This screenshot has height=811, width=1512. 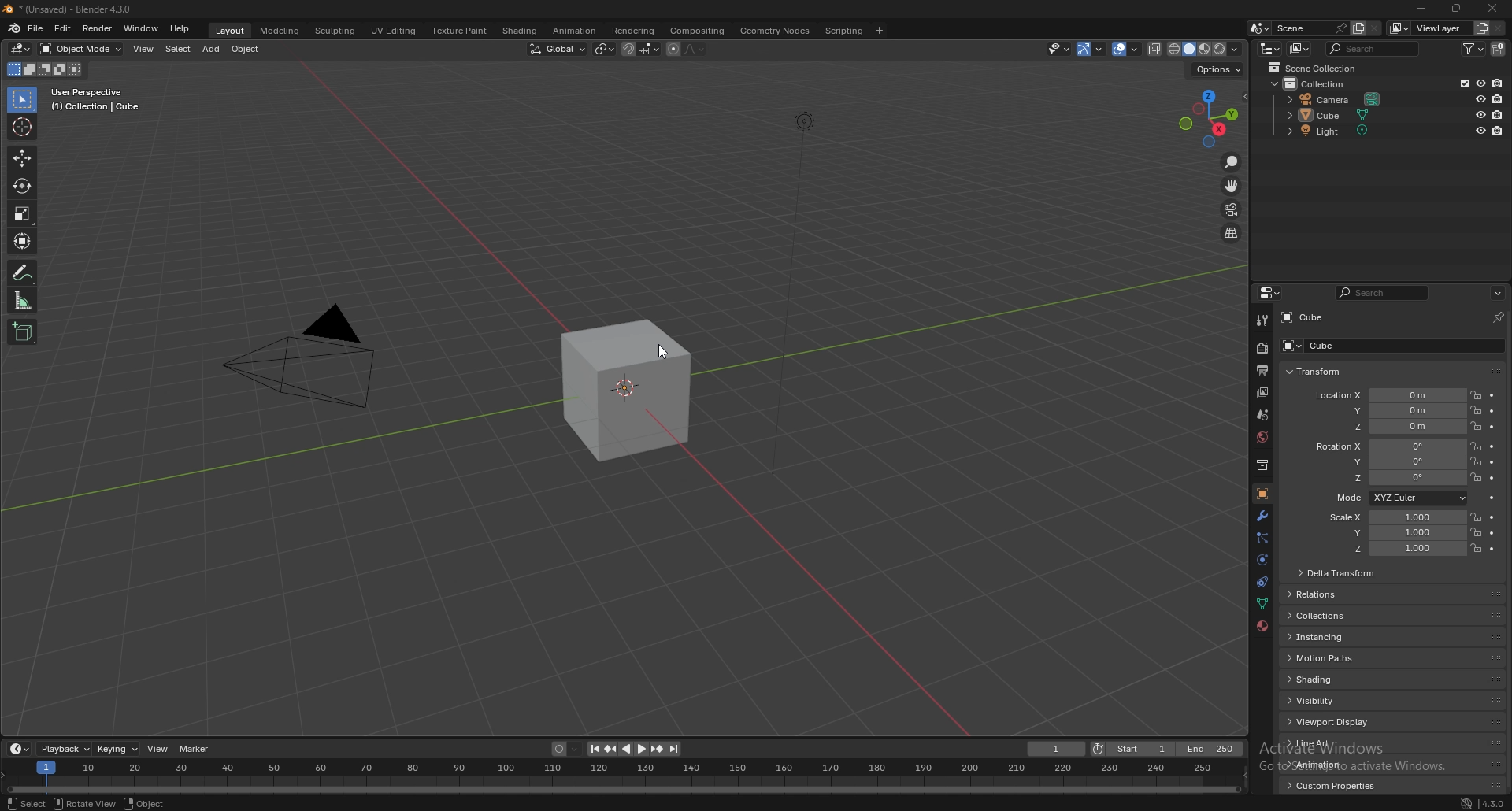 What do you see at coordinates (1338, 573) in the screenshot?
I see `delta transform` at bounding box center [1338, 573].